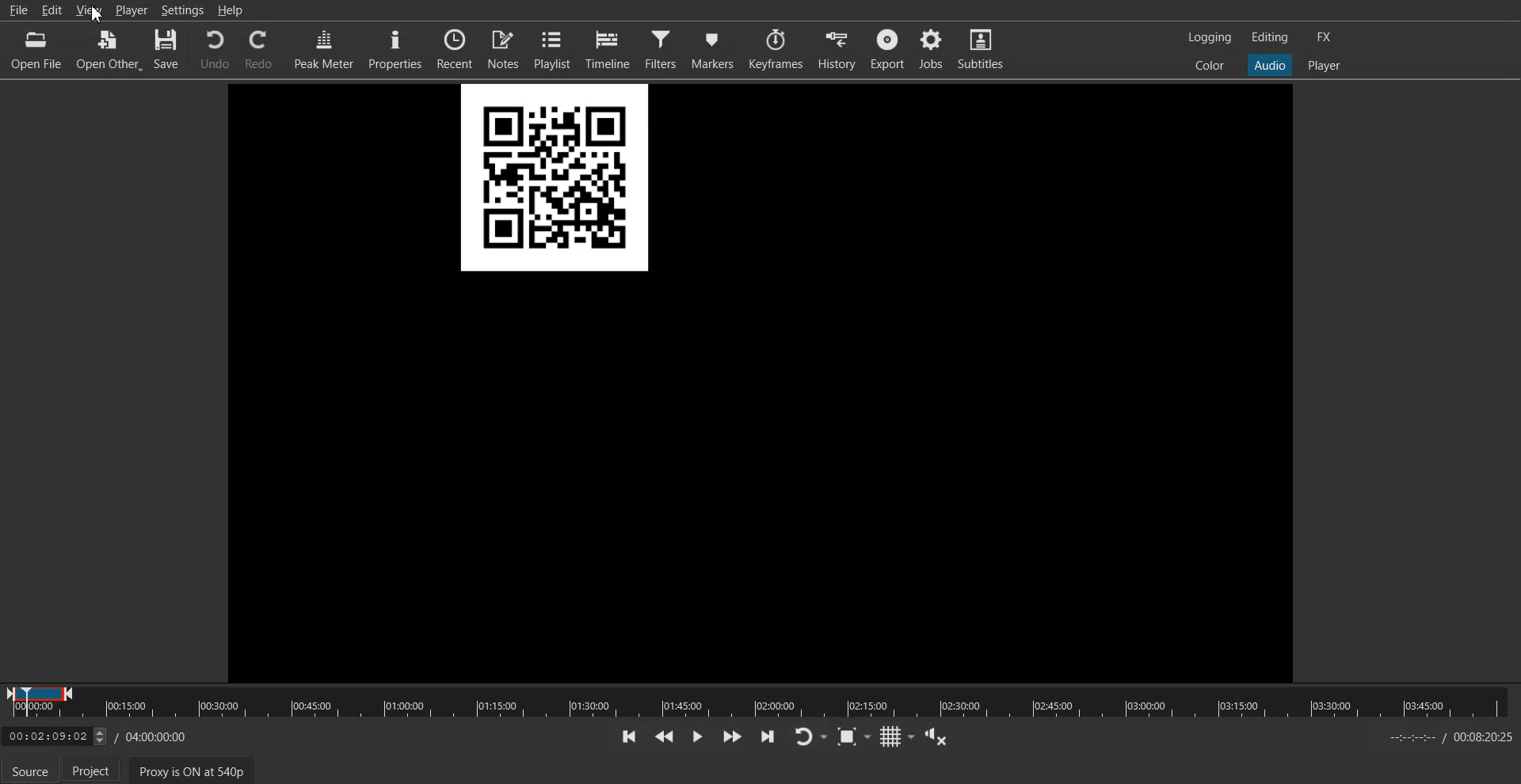  I want to click on Toggle Zoom, so click(854, 737).